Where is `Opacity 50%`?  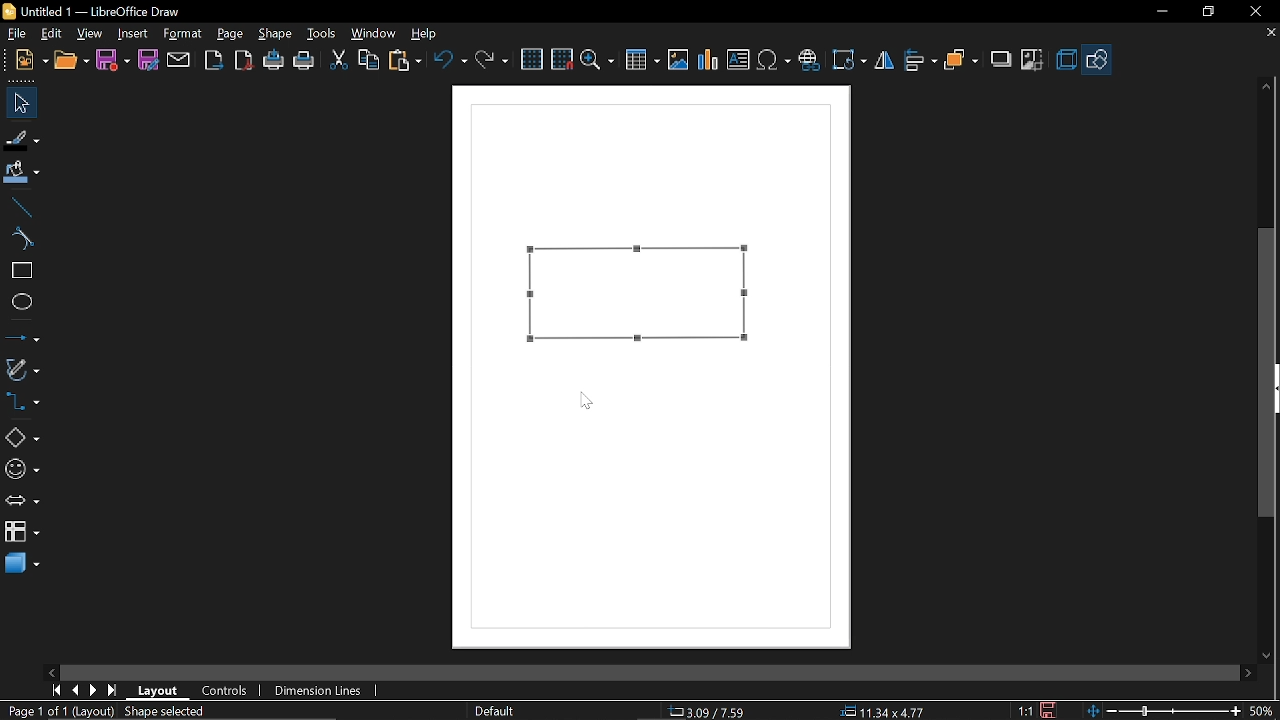
Opacity 50% is located at coordinates (602, 303).